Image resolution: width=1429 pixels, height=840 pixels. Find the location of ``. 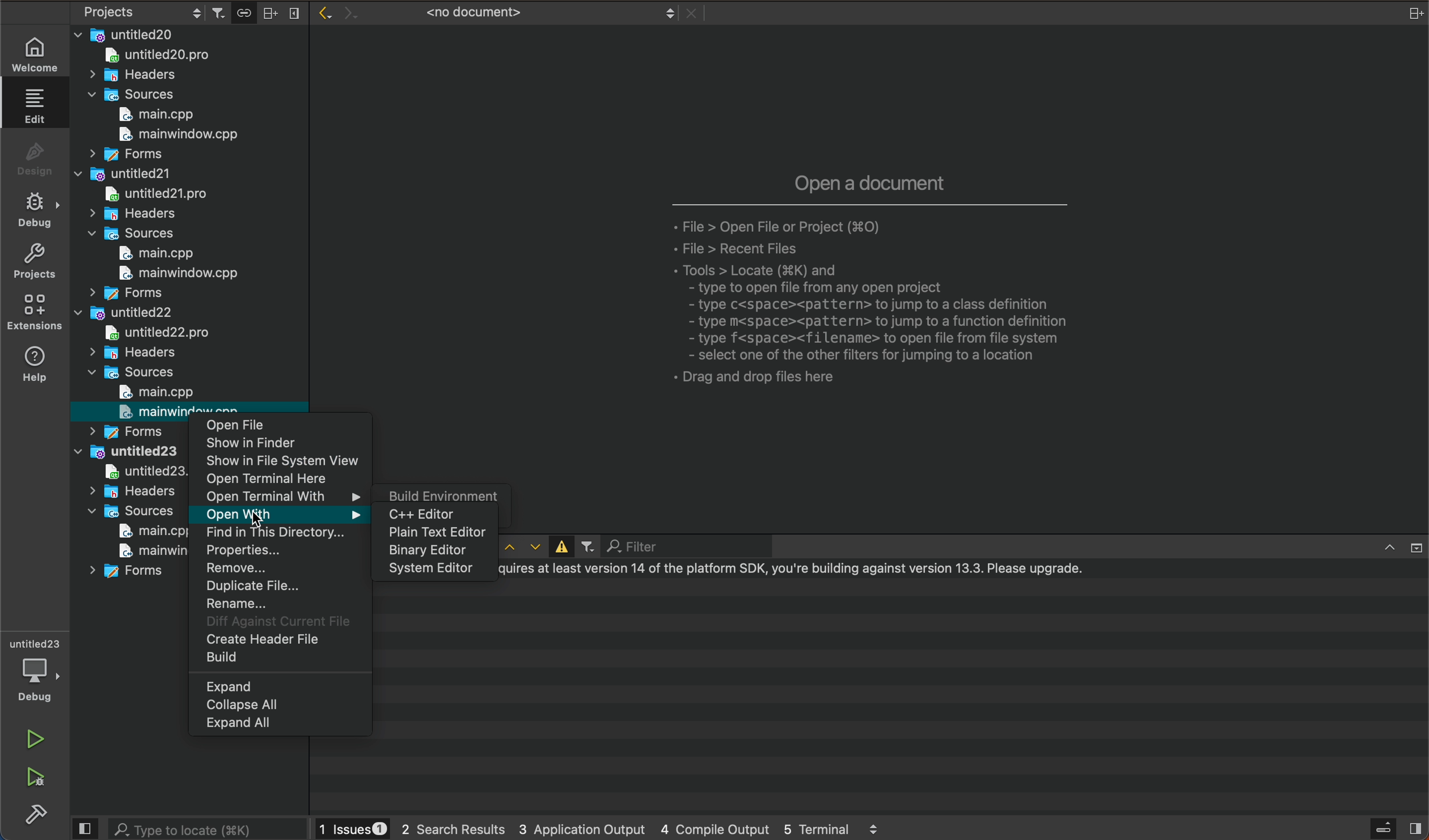

 is located at coordinates (559, 545).